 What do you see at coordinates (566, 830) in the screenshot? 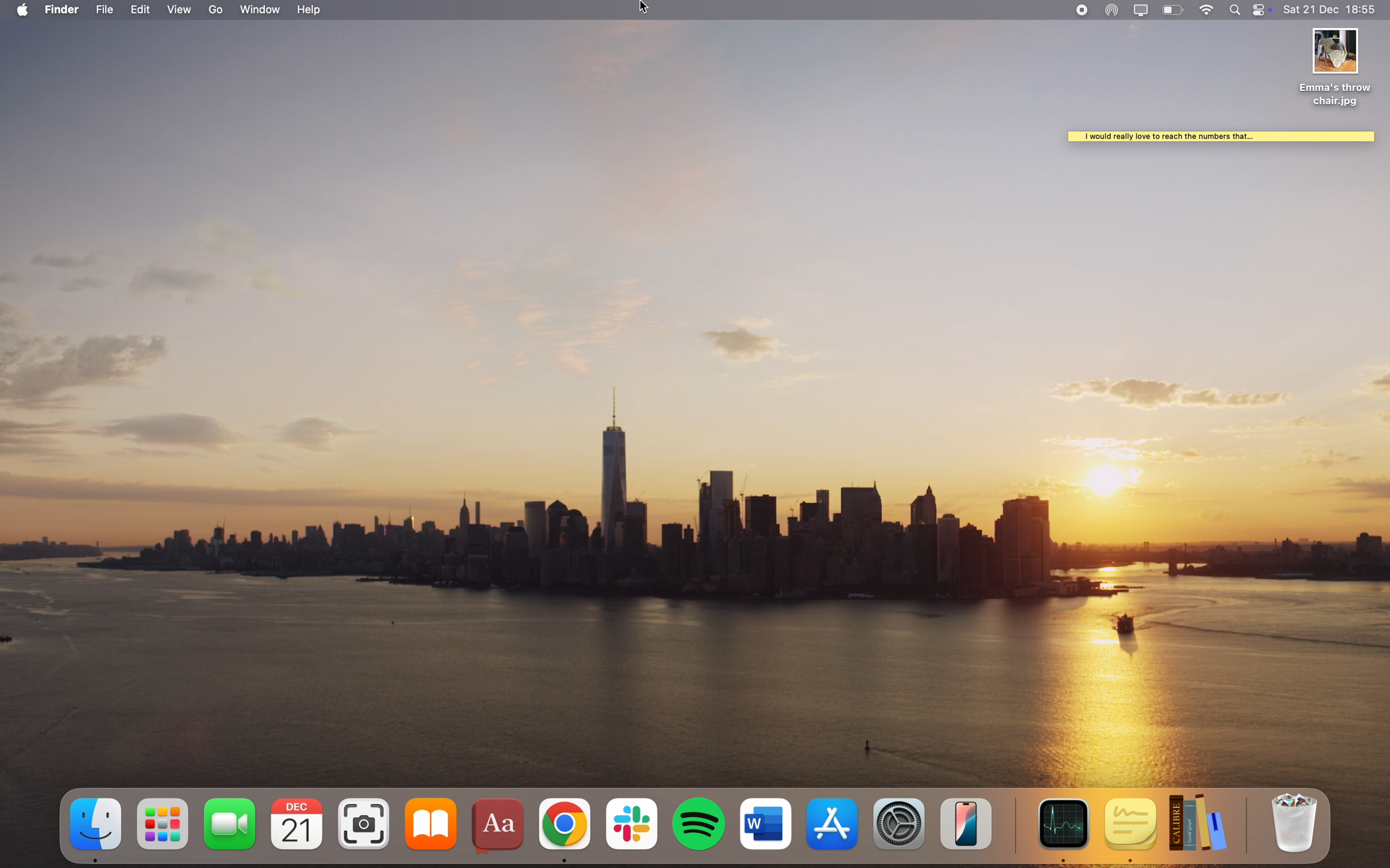
I see `Google Chrome` at bounding box center [566, 830].